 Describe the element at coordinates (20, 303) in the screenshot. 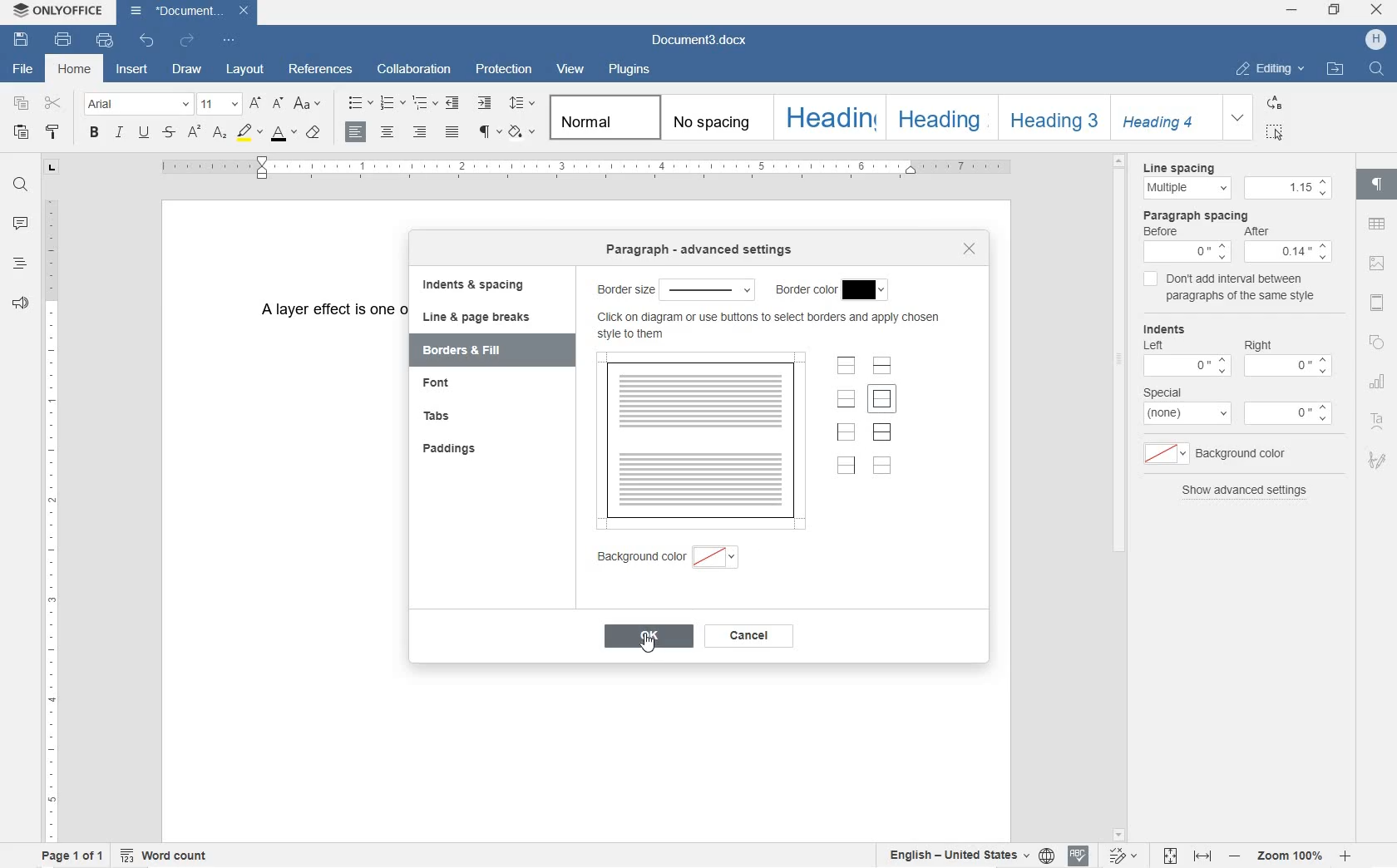

I see `FEEDBACK & SUPPORT` at that location.